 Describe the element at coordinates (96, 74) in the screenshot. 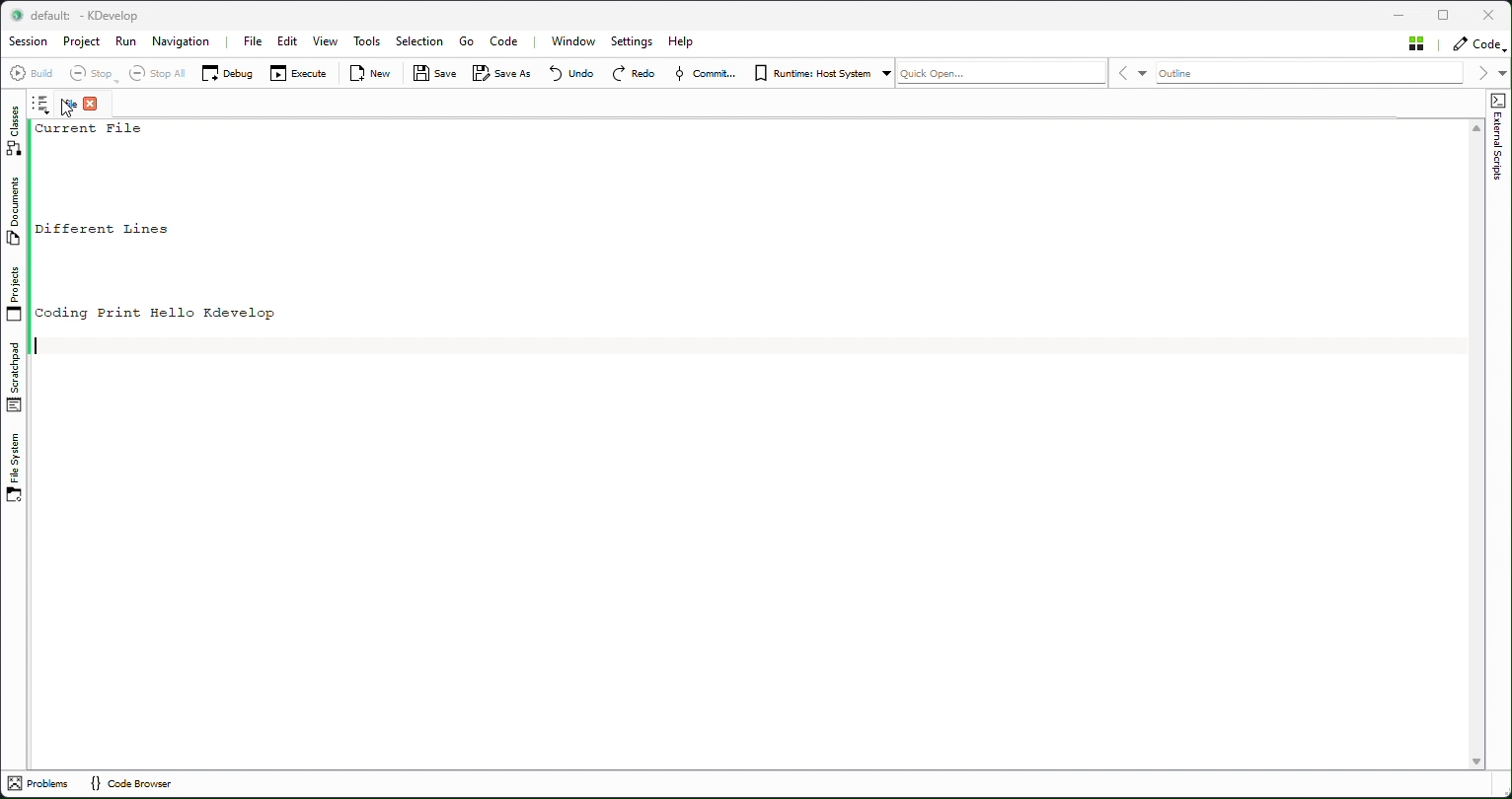

I see `Stop` at that location.